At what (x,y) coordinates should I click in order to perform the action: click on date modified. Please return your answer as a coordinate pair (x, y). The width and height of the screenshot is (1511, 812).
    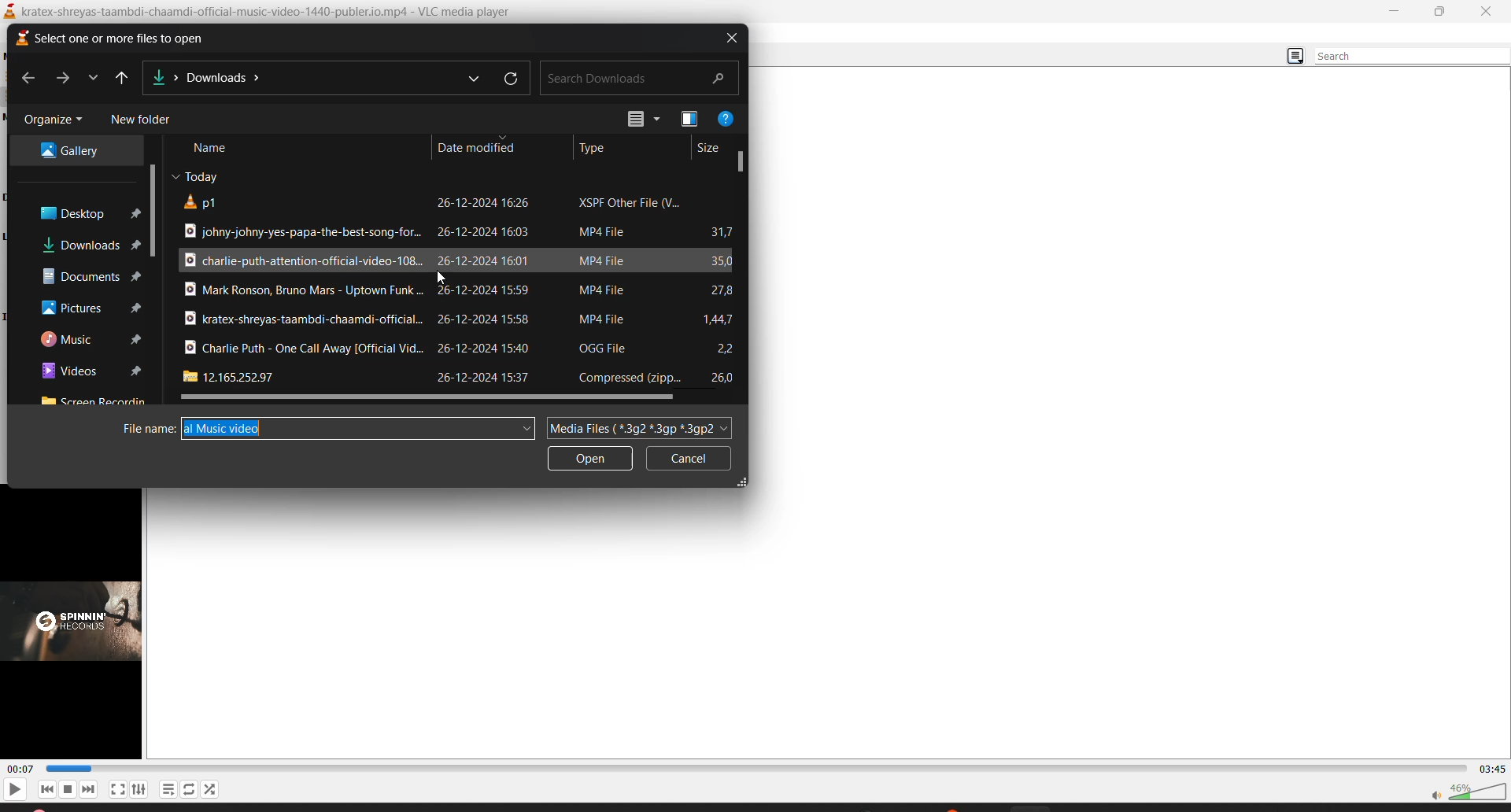
    Looking at the image, I should click on (505, 260).